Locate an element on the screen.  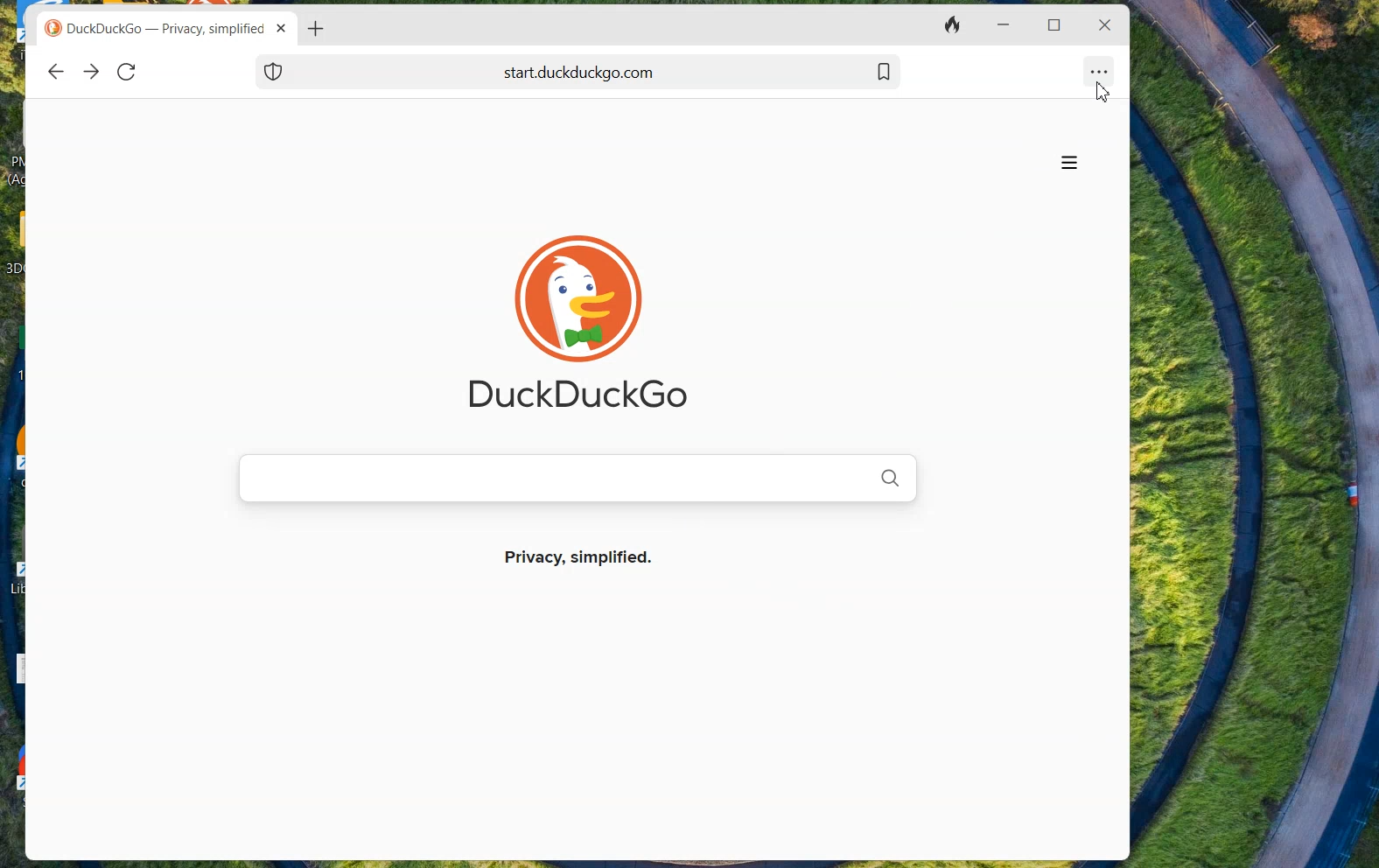
Add new Tab is located at coordinates (317, 28).